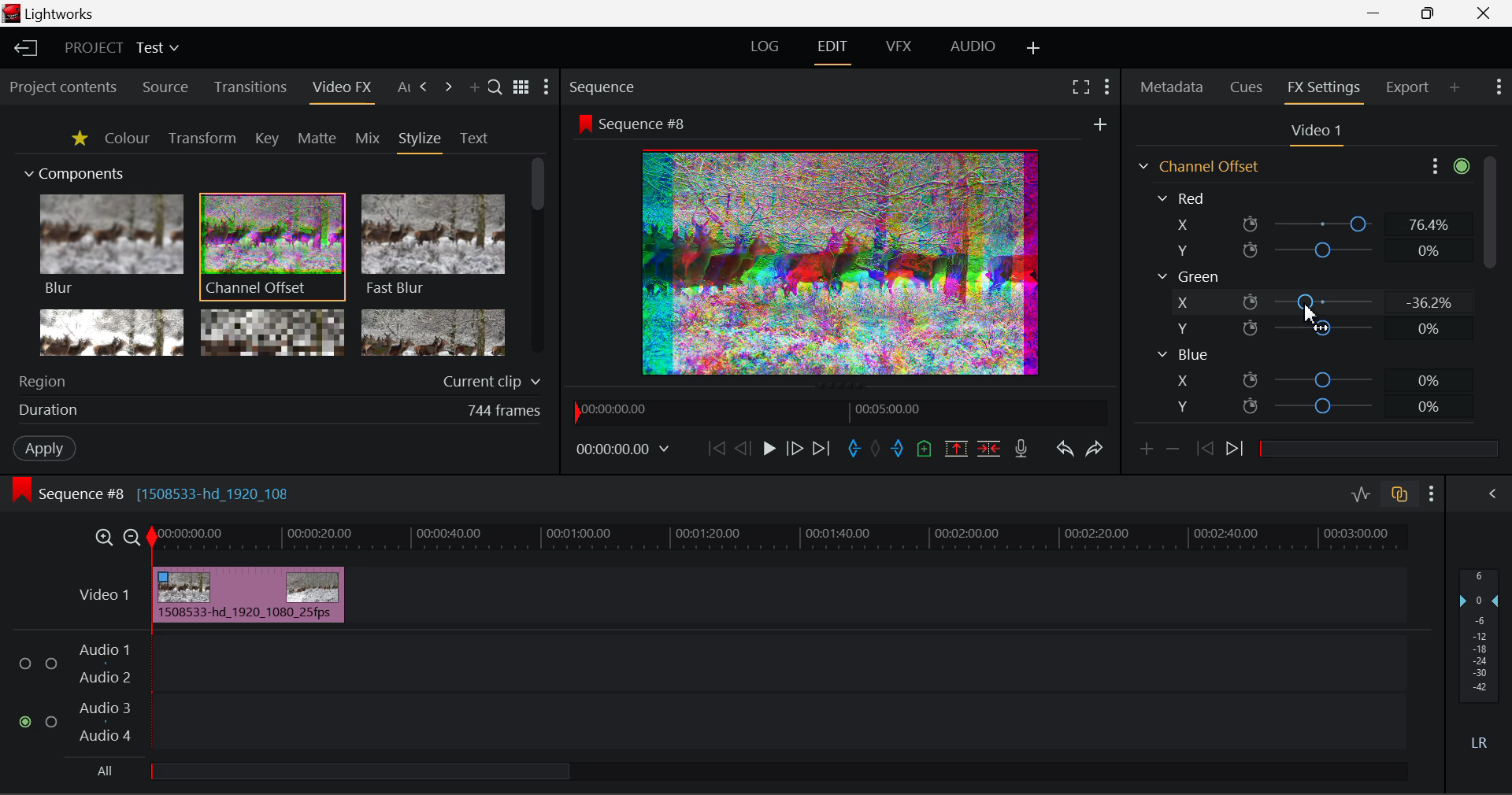 The height and width of the screenshot is (795, 1512). I want to click on Record Voiceover, so click(1021, 450).